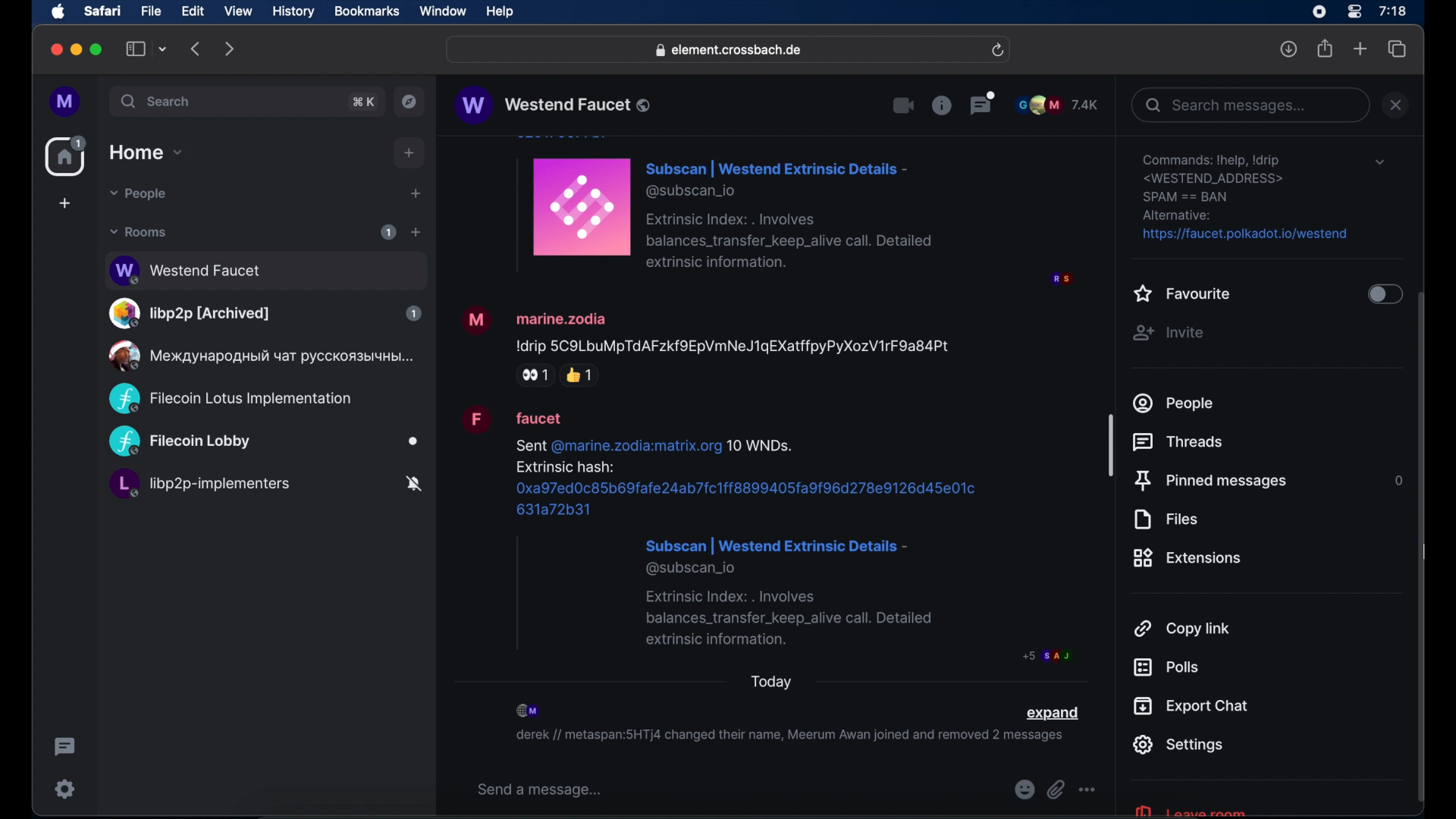 The width and height of the screenshot is (1456, 819). I want to click on participants, so click(1057, 105).